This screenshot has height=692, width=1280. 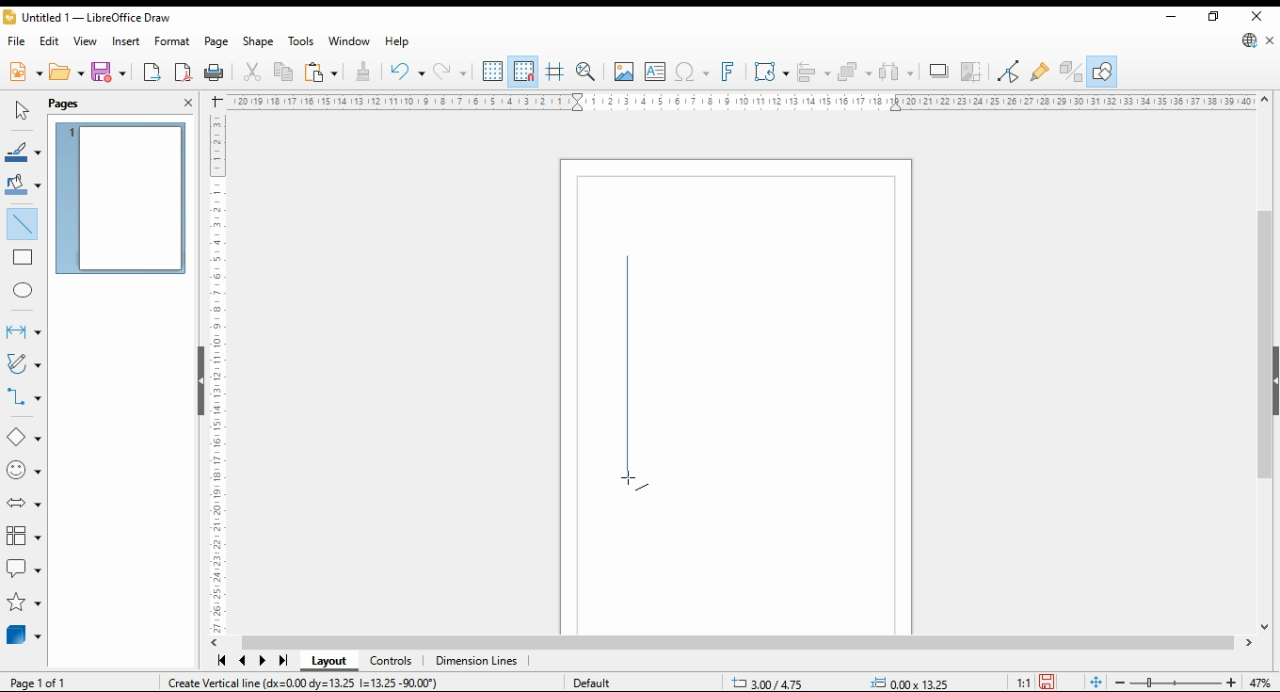 I want to click on last page, so click(x=282, y=661).